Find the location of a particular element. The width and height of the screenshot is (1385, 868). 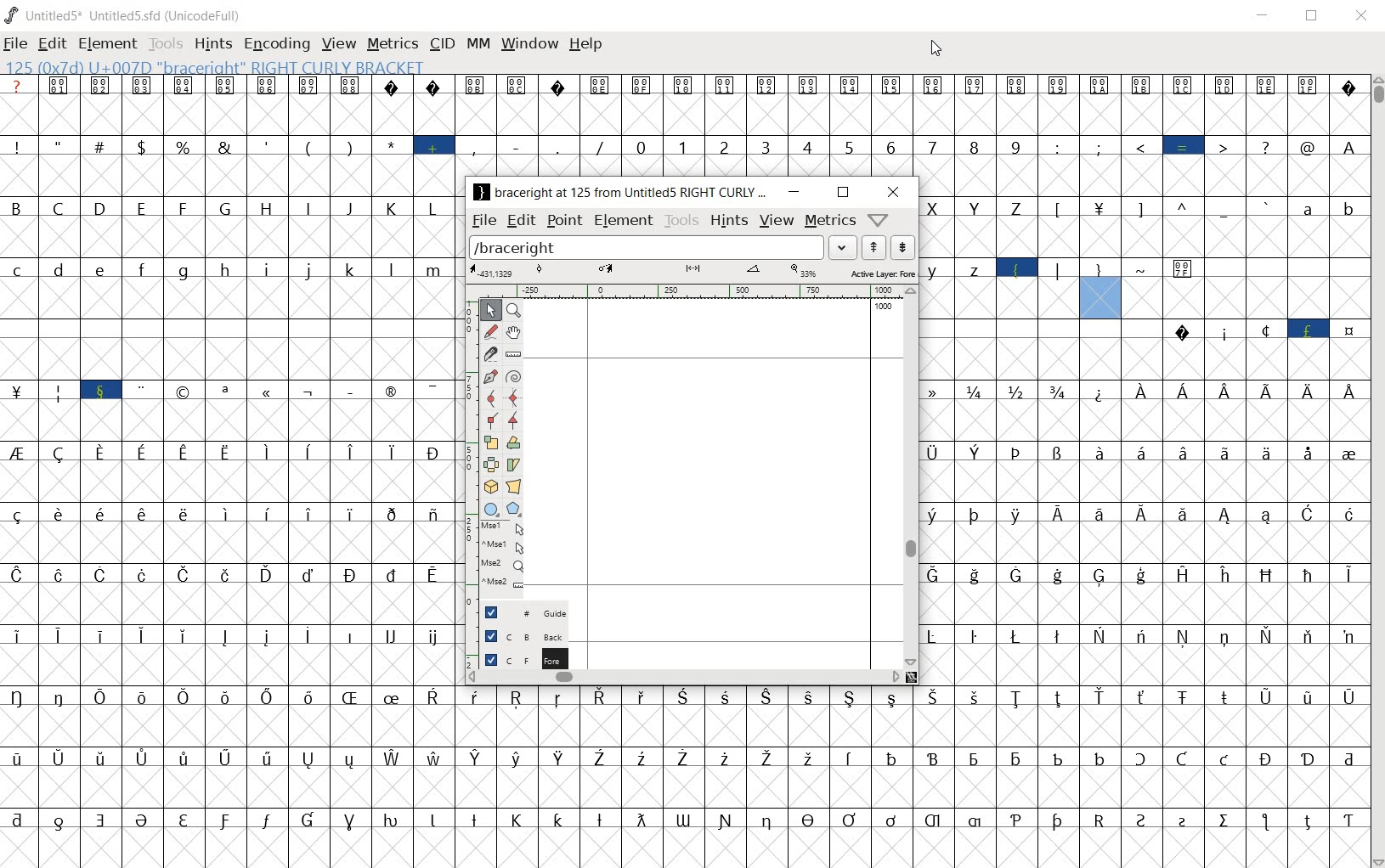

polygon or star is located at coordinates (515, 509).